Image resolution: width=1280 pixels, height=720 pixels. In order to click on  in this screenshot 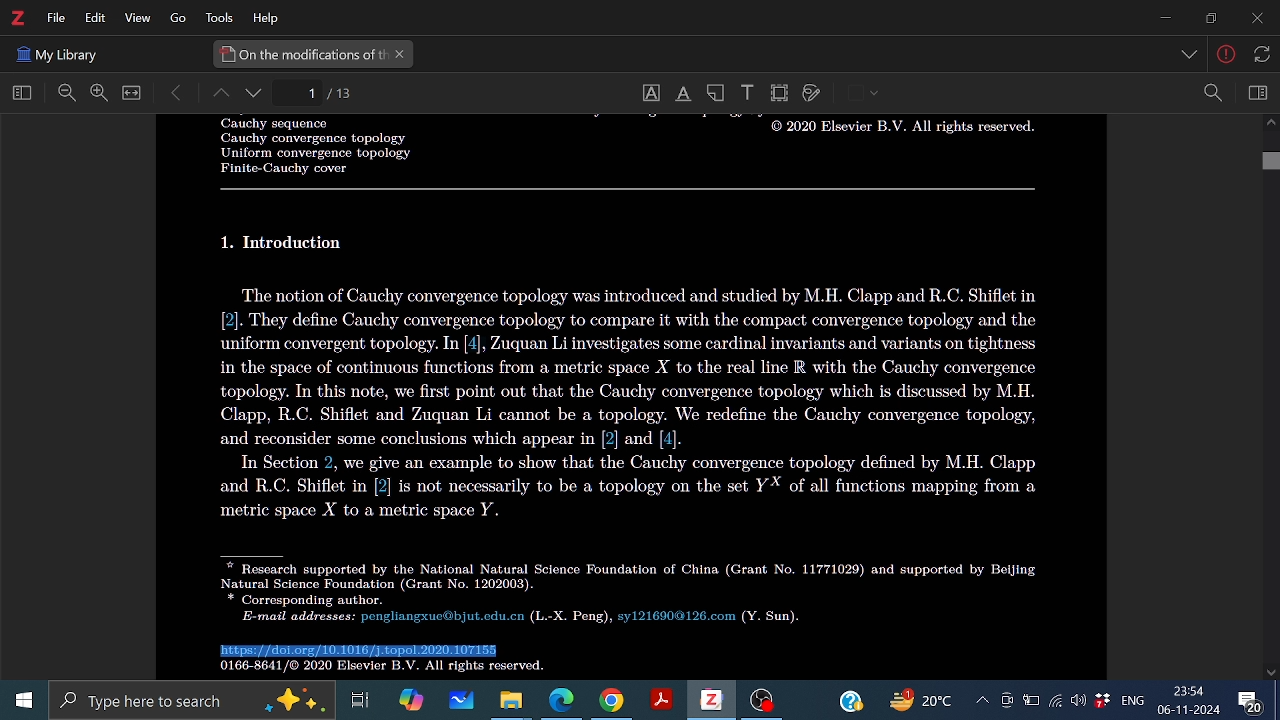, I will do `click(172, 19)`.